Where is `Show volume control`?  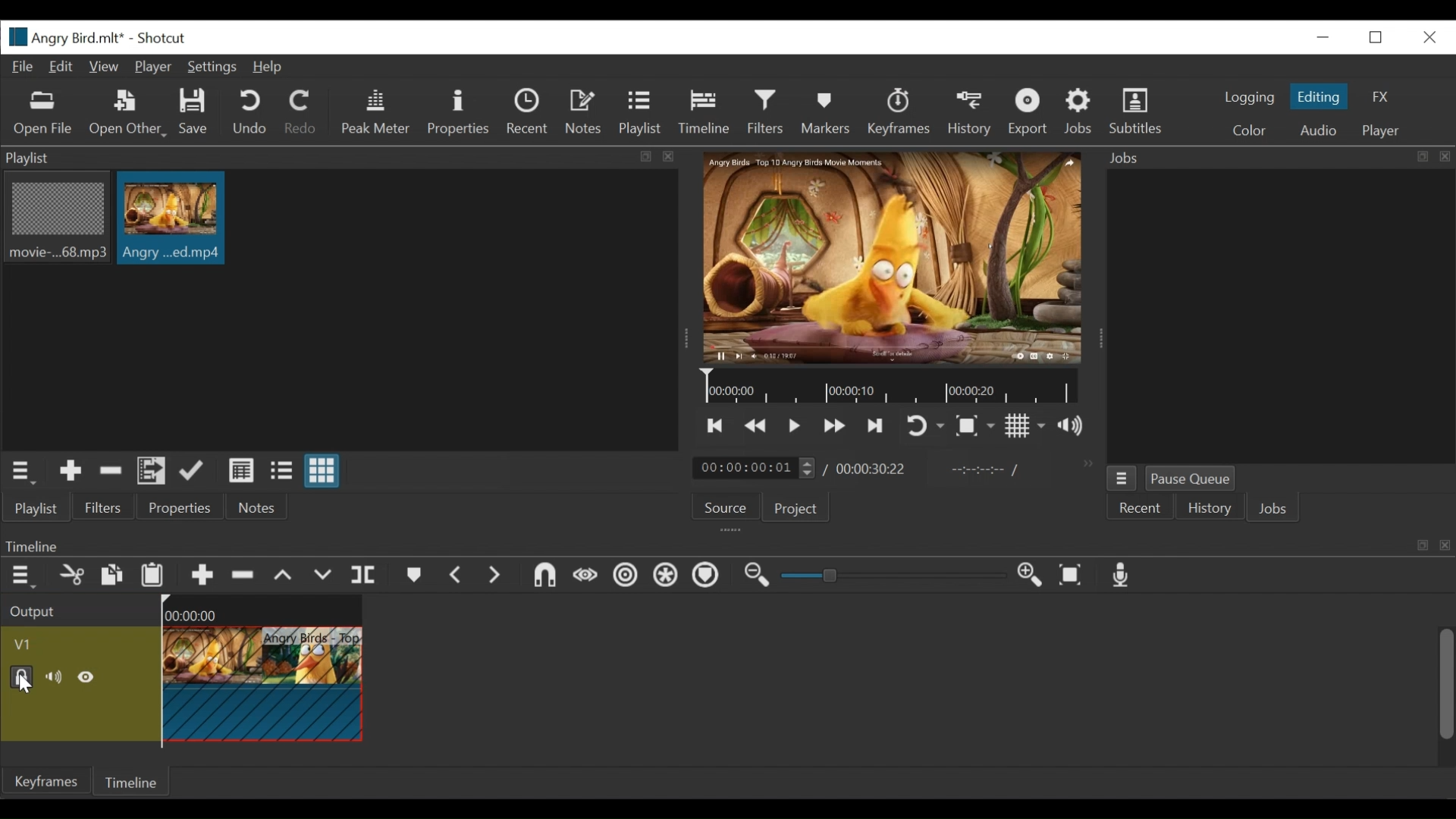 Show volume control is located at coordinates (1076, 426).